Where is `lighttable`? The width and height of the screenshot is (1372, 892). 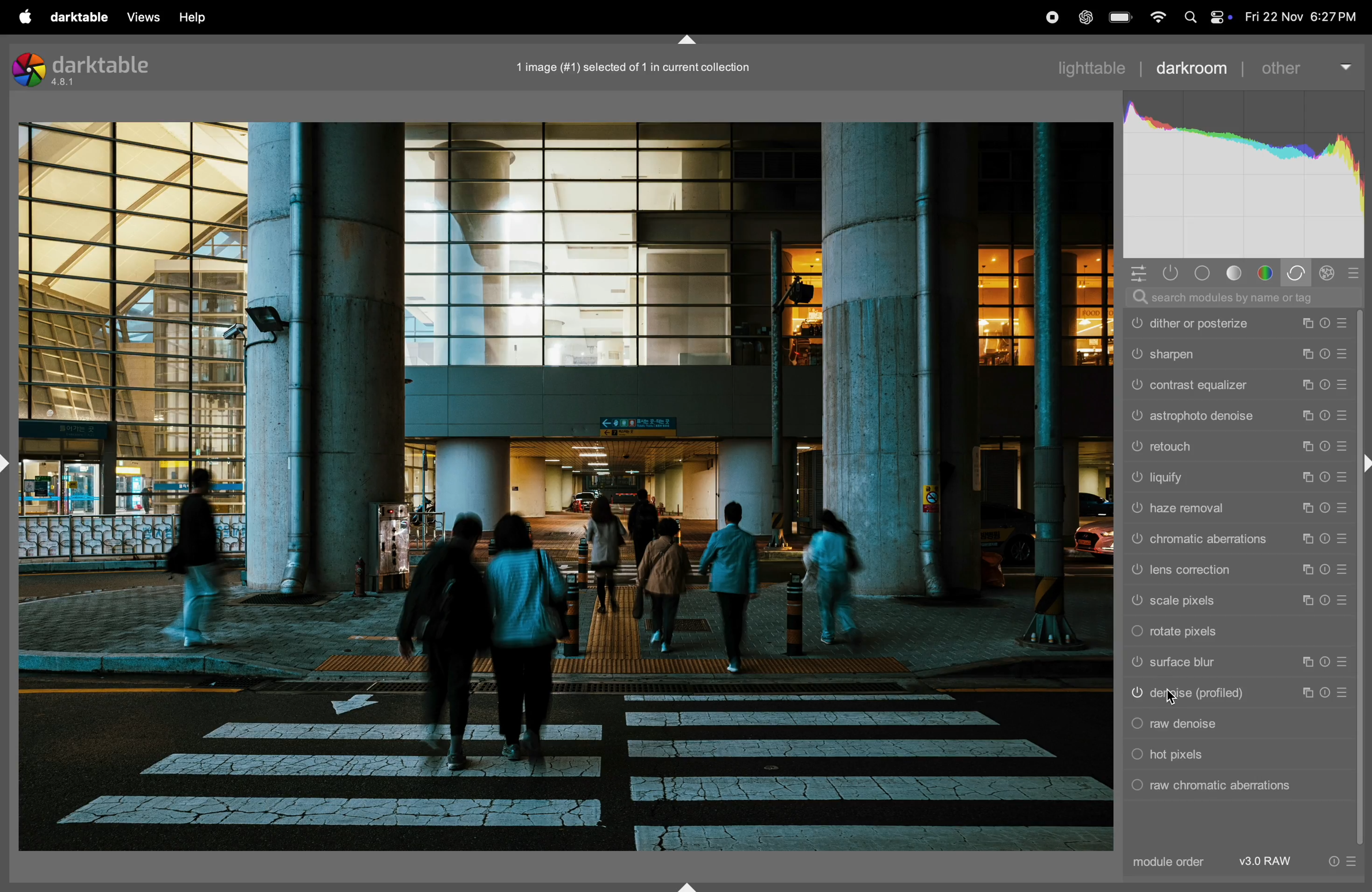 lighttable is located at coordinates (1090, 68).